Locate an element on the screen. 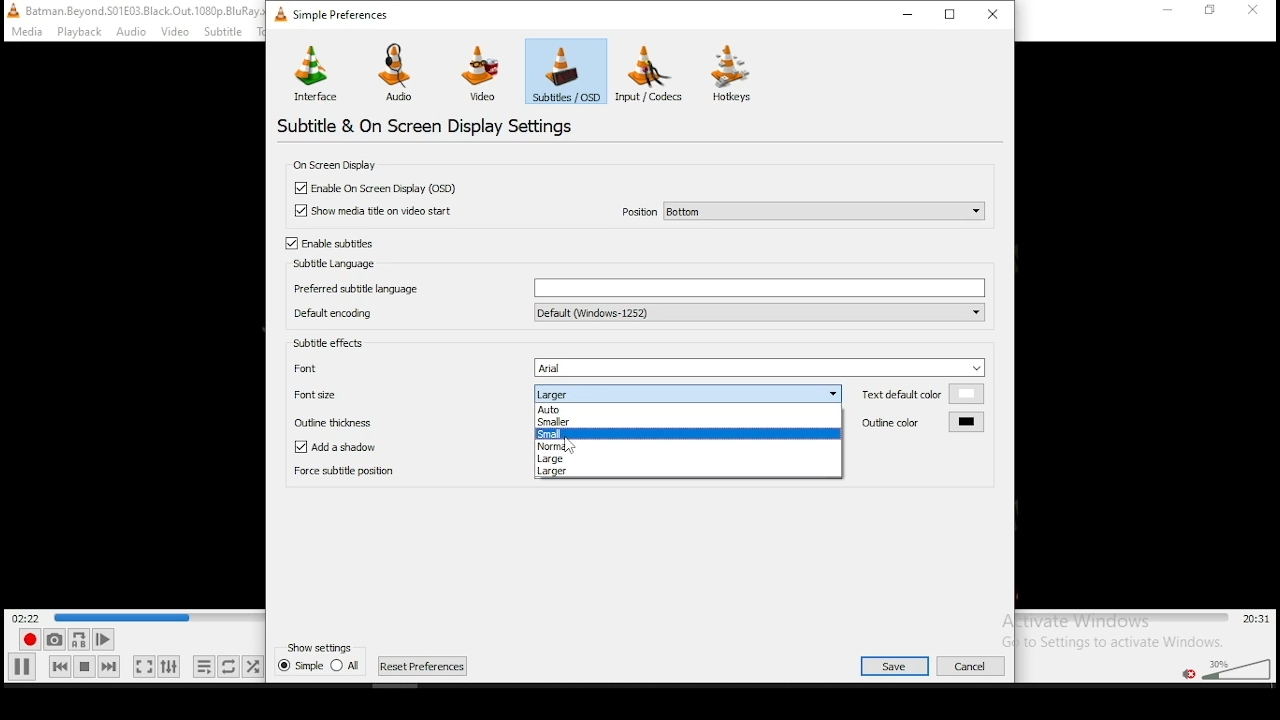 The image size is (1280, 720). audio is located at coordinates (400, 72).